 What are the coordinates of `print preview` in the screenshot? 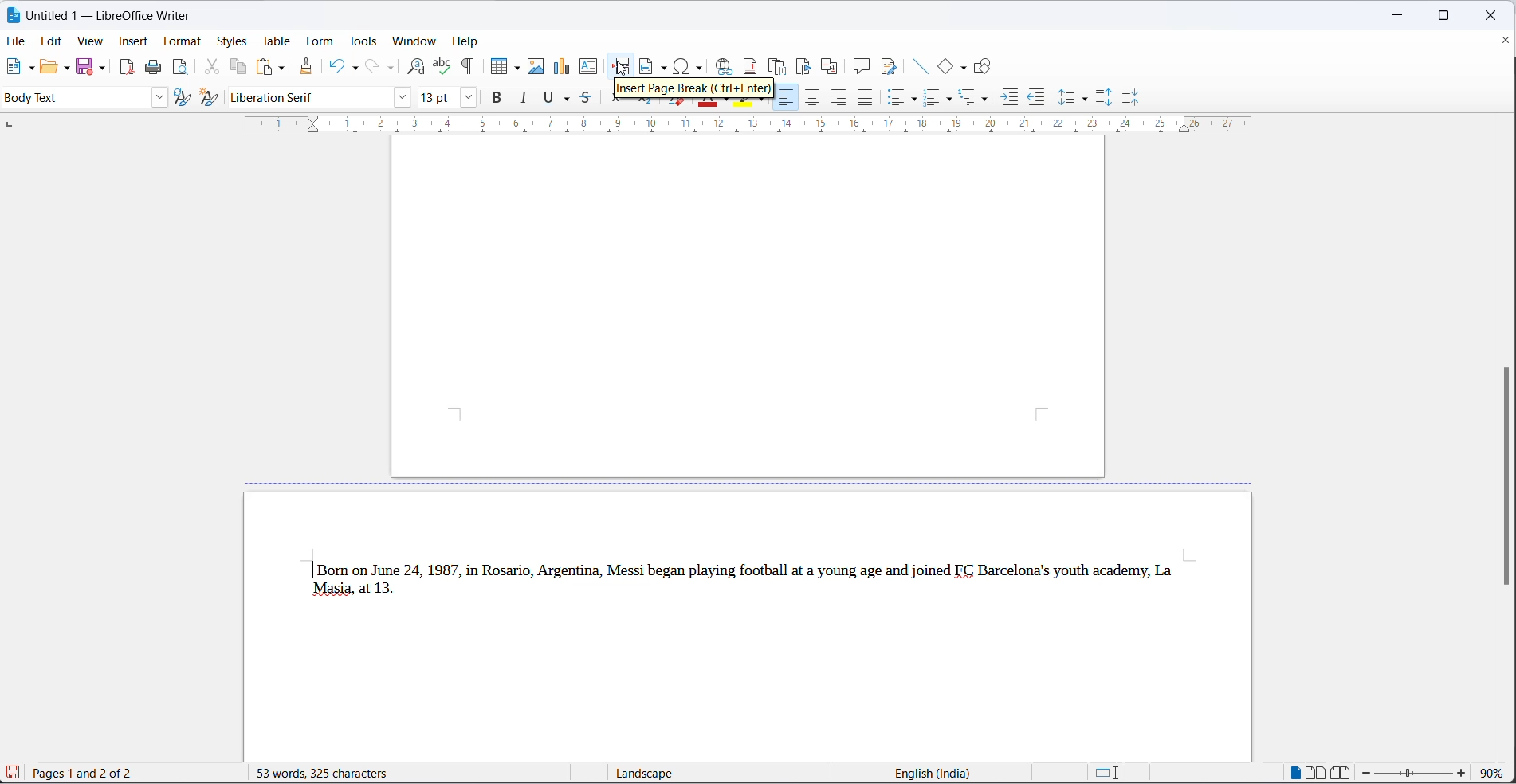 It's located at (181, 69).